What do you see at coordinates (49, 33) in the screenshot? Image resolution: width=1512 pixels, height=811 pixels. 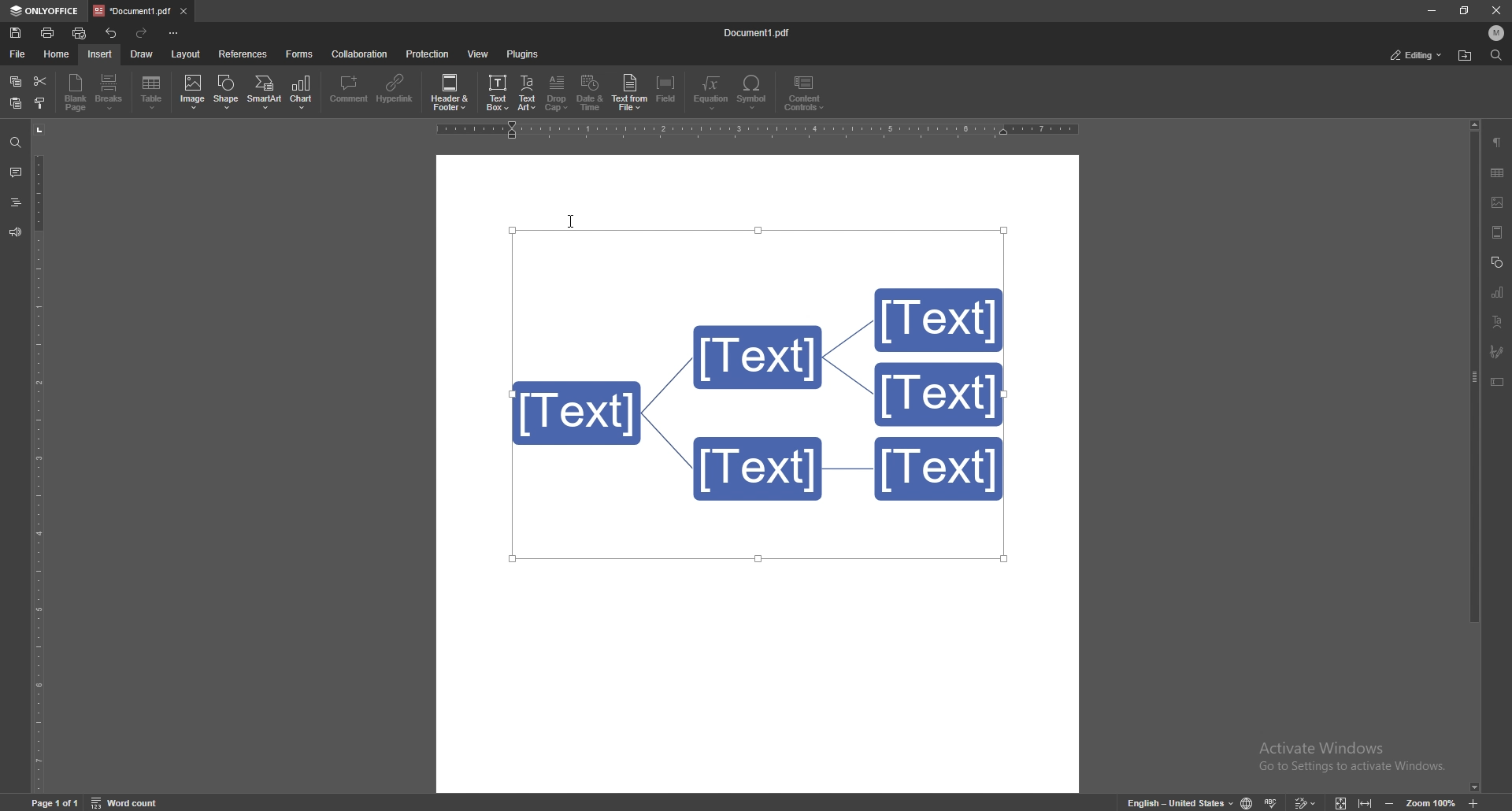 I see `print` at bounding box center [49, 33].